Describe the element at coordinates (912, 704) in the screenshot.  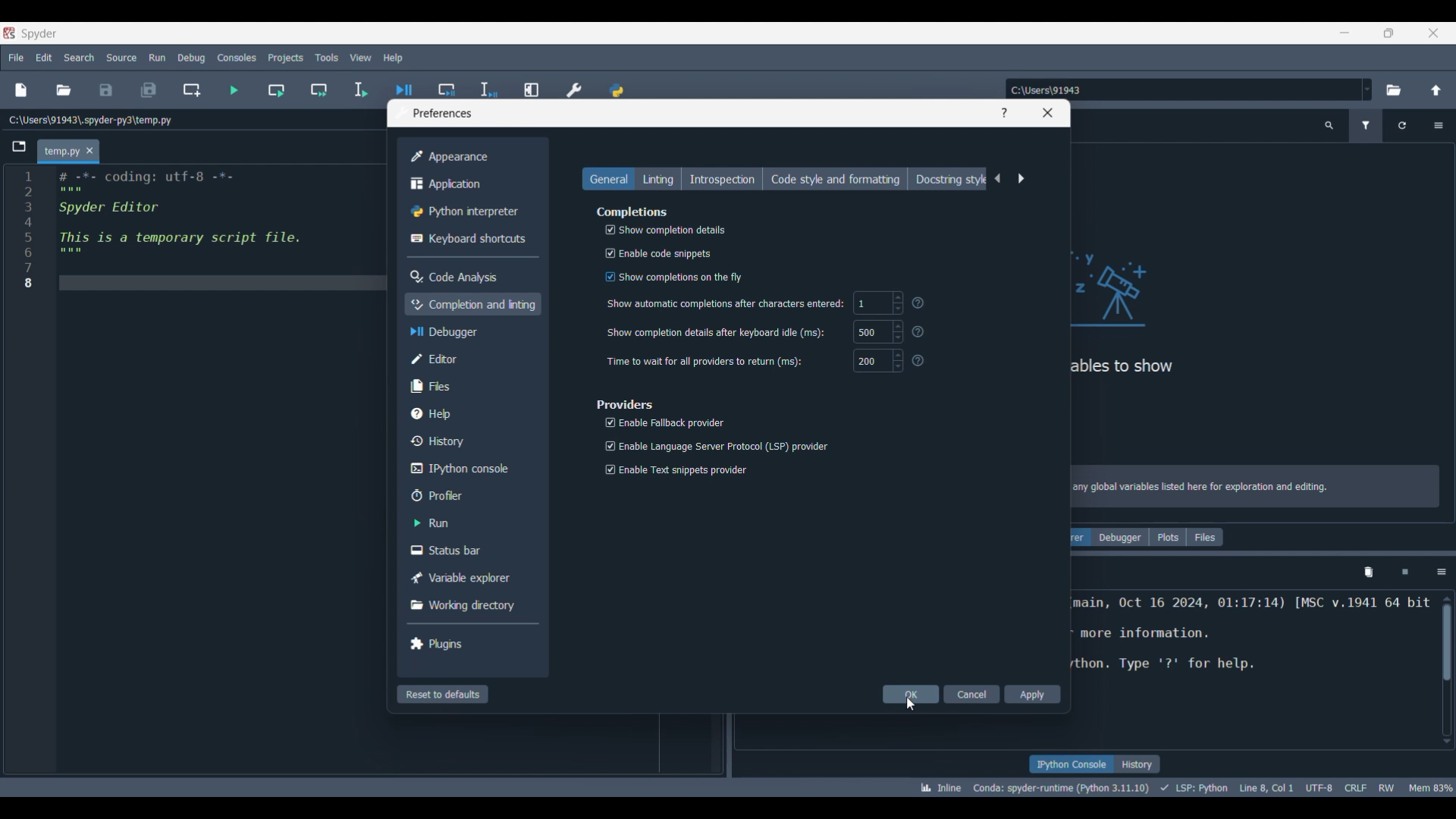
I see `Cursor clicking on OK` at that location.